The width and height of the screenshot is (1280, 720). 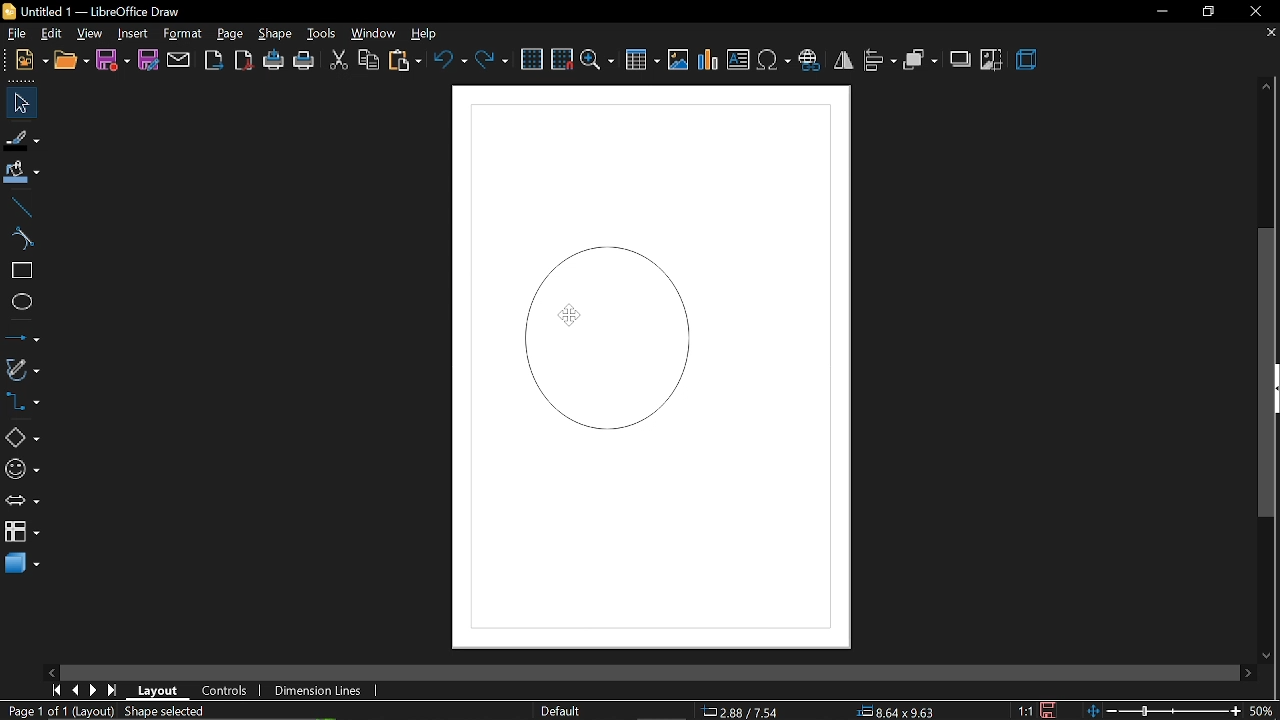 I want to click on current page (Page 1 of 1 (Layout)), so click(x=58, y=712).